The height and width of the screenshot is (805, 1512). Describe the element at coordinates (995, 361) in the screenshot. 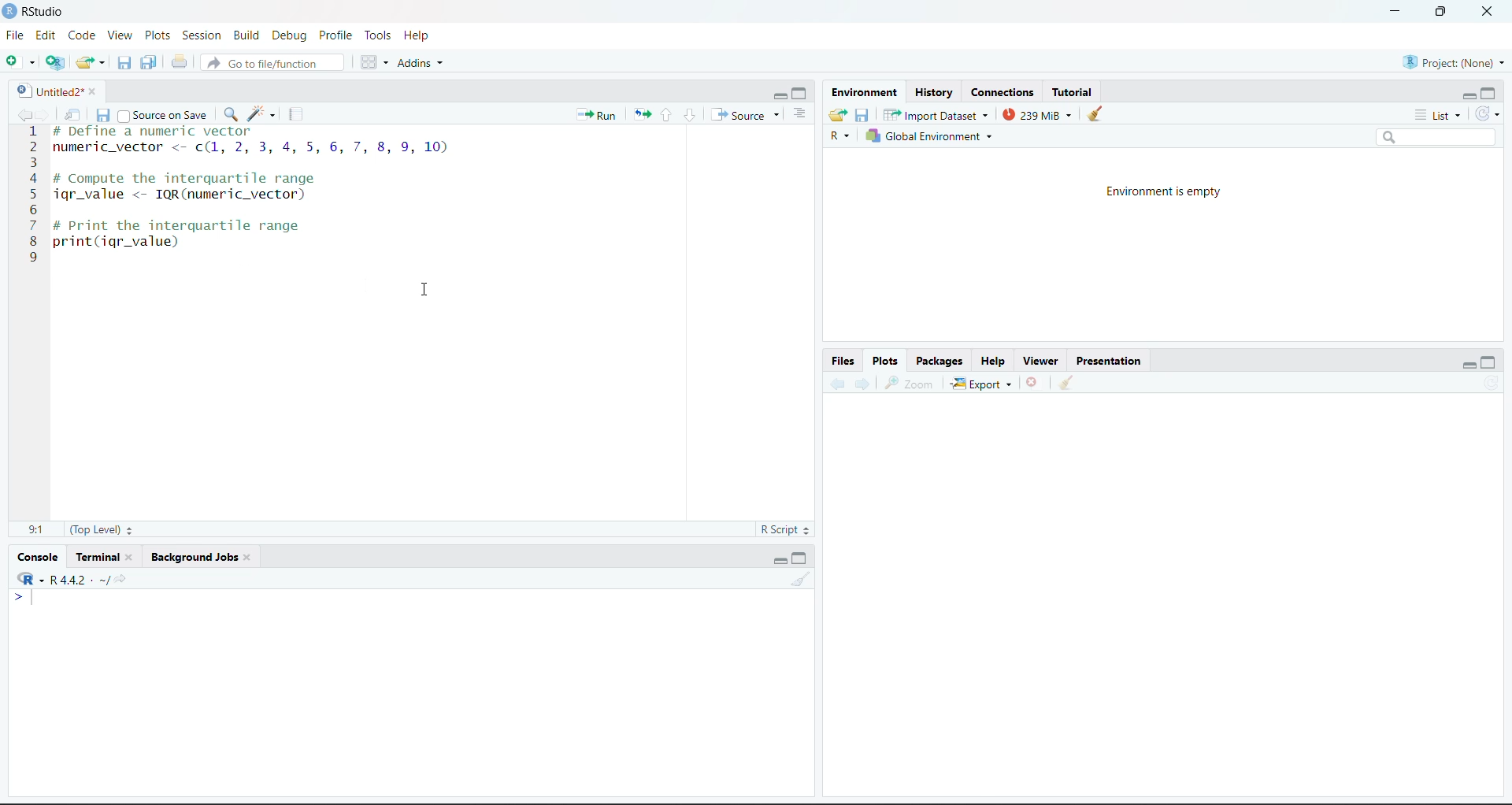

I see `Help` at that location.